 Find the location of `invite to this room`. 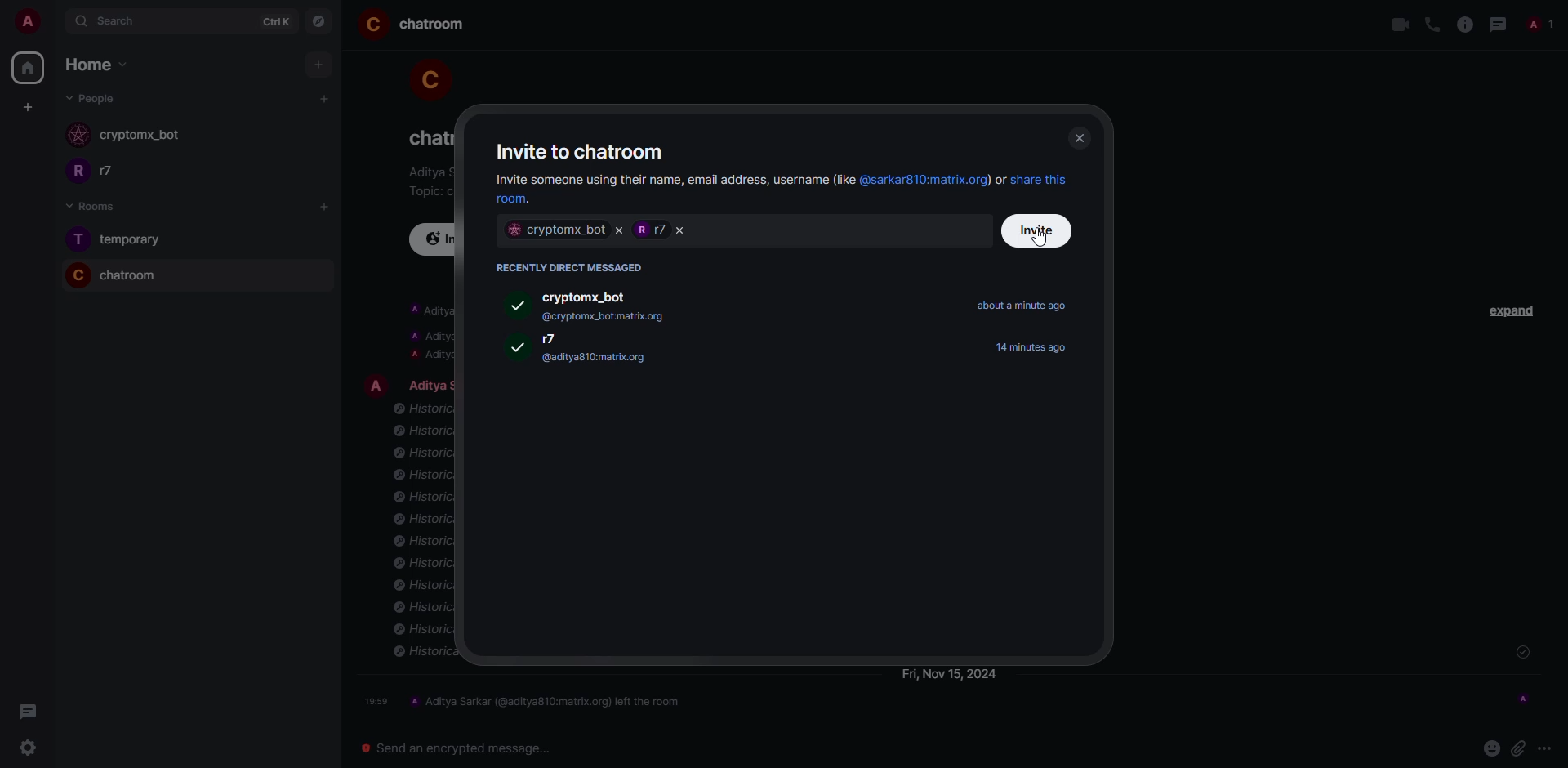

invite to this room is located at coordinates (436, 239).